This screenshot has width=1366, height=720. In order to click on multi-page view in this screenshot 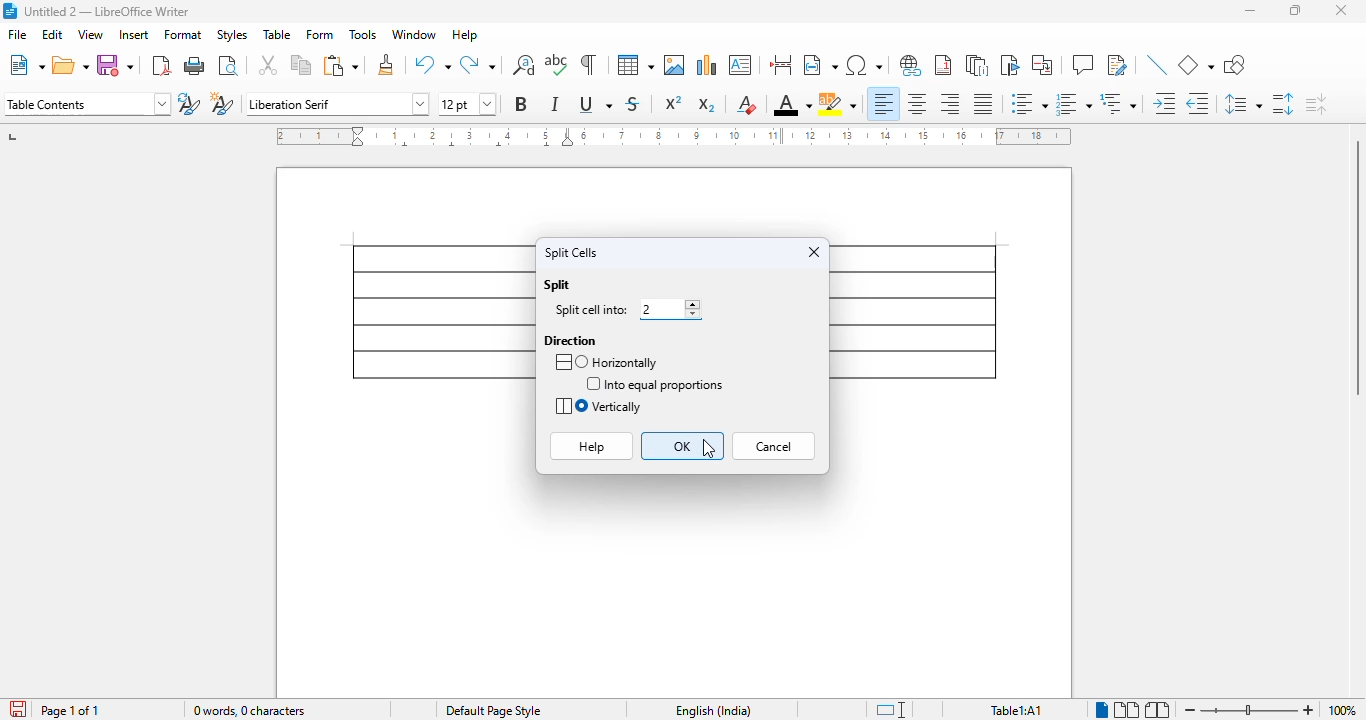, I will do `click(1127, 710)`.